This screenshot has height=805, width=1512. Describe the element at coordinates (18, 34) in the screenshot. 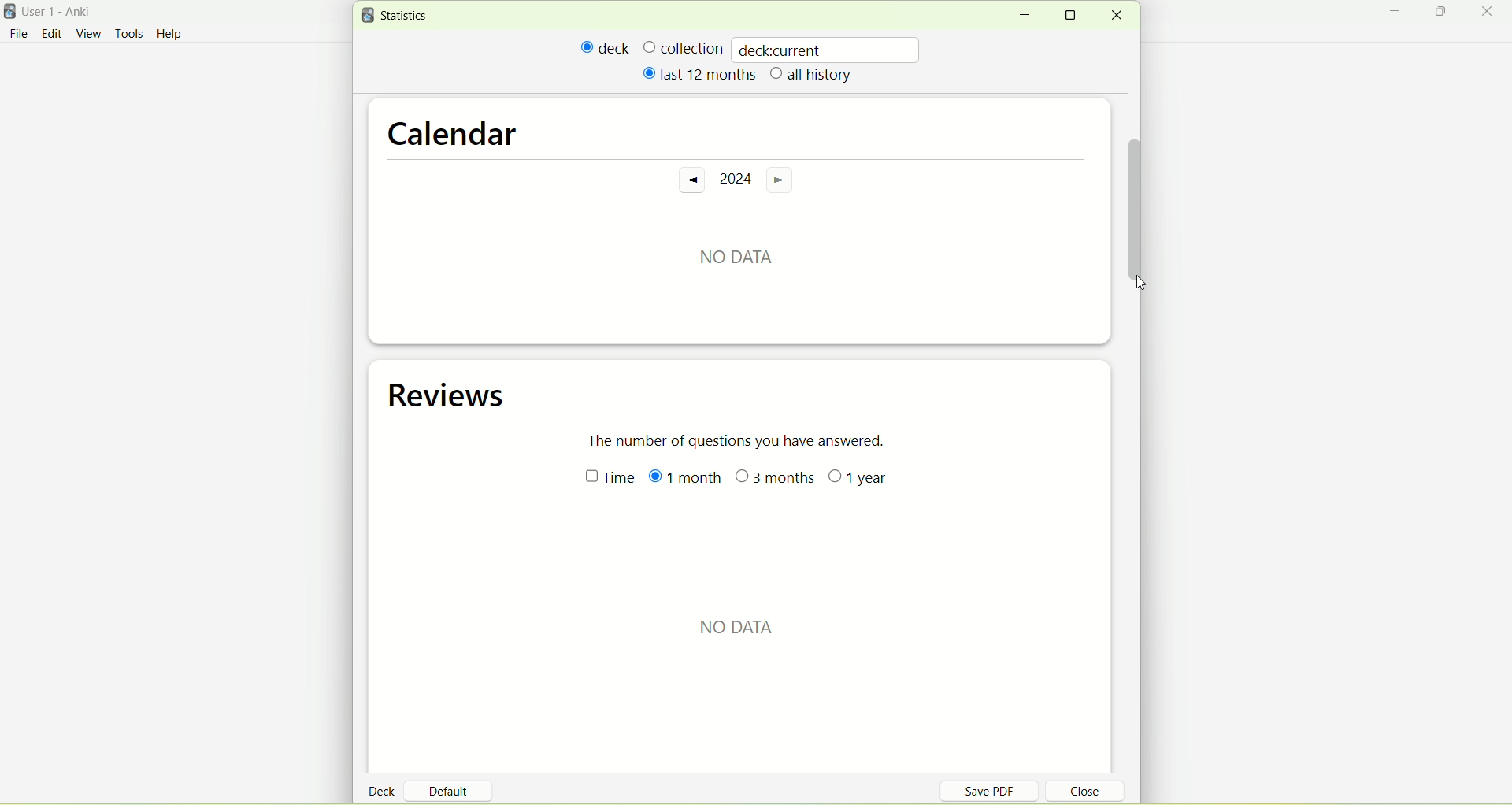

I see `File ` at that location.